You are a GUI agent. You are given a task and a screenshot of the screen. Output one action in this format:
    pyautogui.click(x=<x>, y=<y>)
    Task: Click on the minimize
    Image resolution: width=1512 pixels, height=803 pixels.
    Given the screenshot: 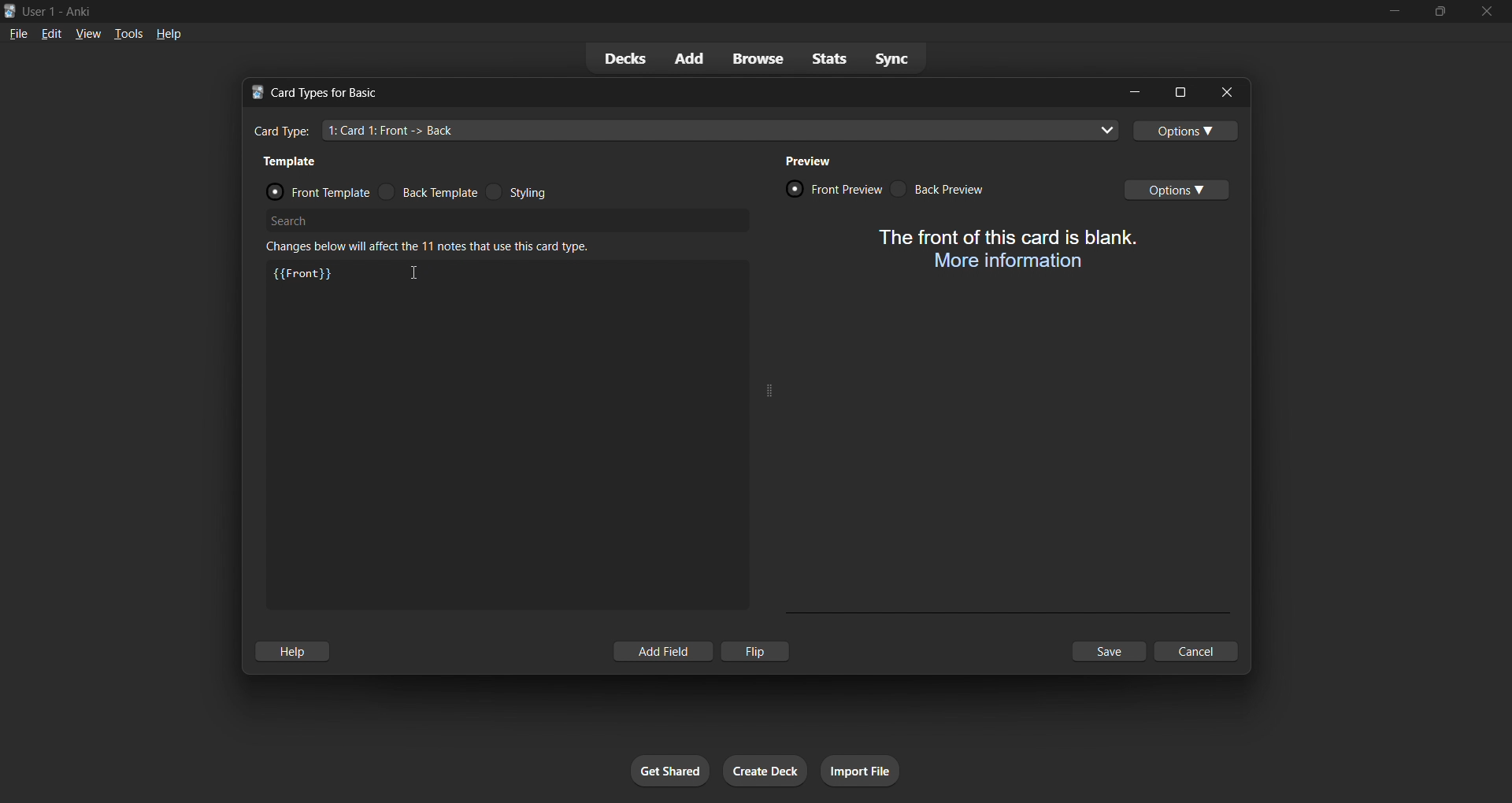 What is the action you would take?
    pyautogui.click(x=1384, y=12)
    